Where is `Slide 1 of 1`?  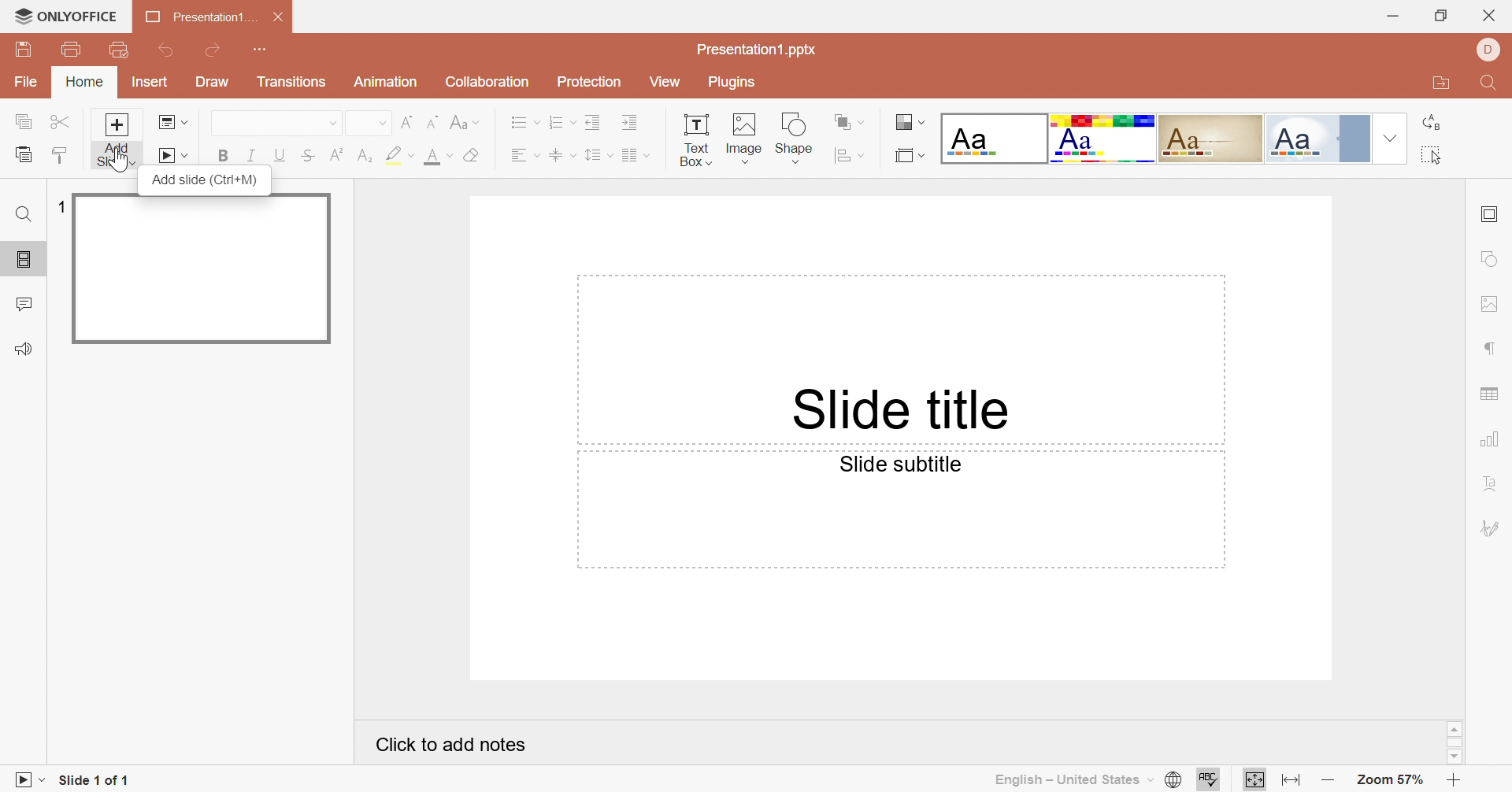 Slide 1 of 1 is located at coordinates (95, 780).